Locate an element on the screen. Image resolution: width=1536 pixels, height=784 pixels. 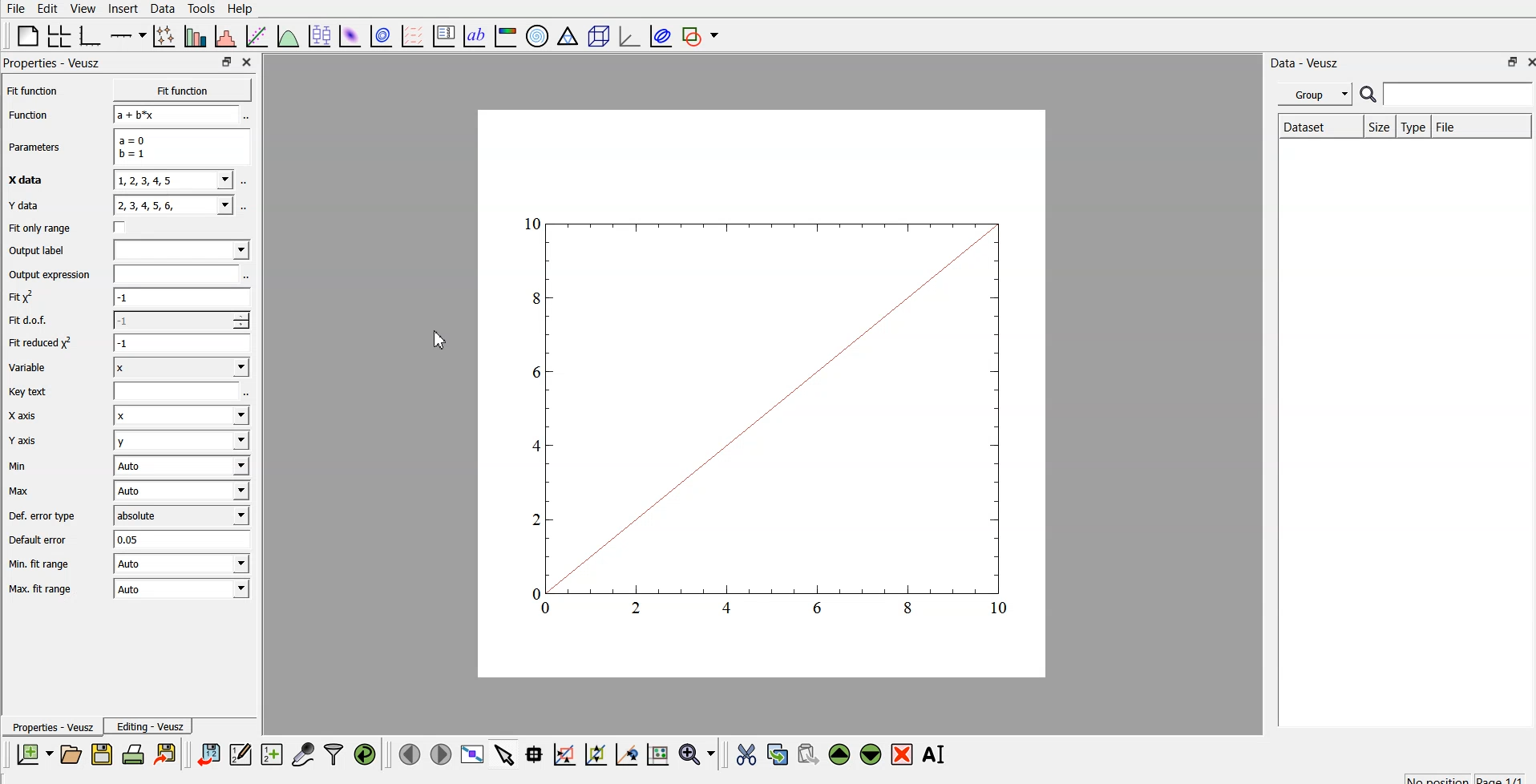
tools is located at coordinates (200, 7).